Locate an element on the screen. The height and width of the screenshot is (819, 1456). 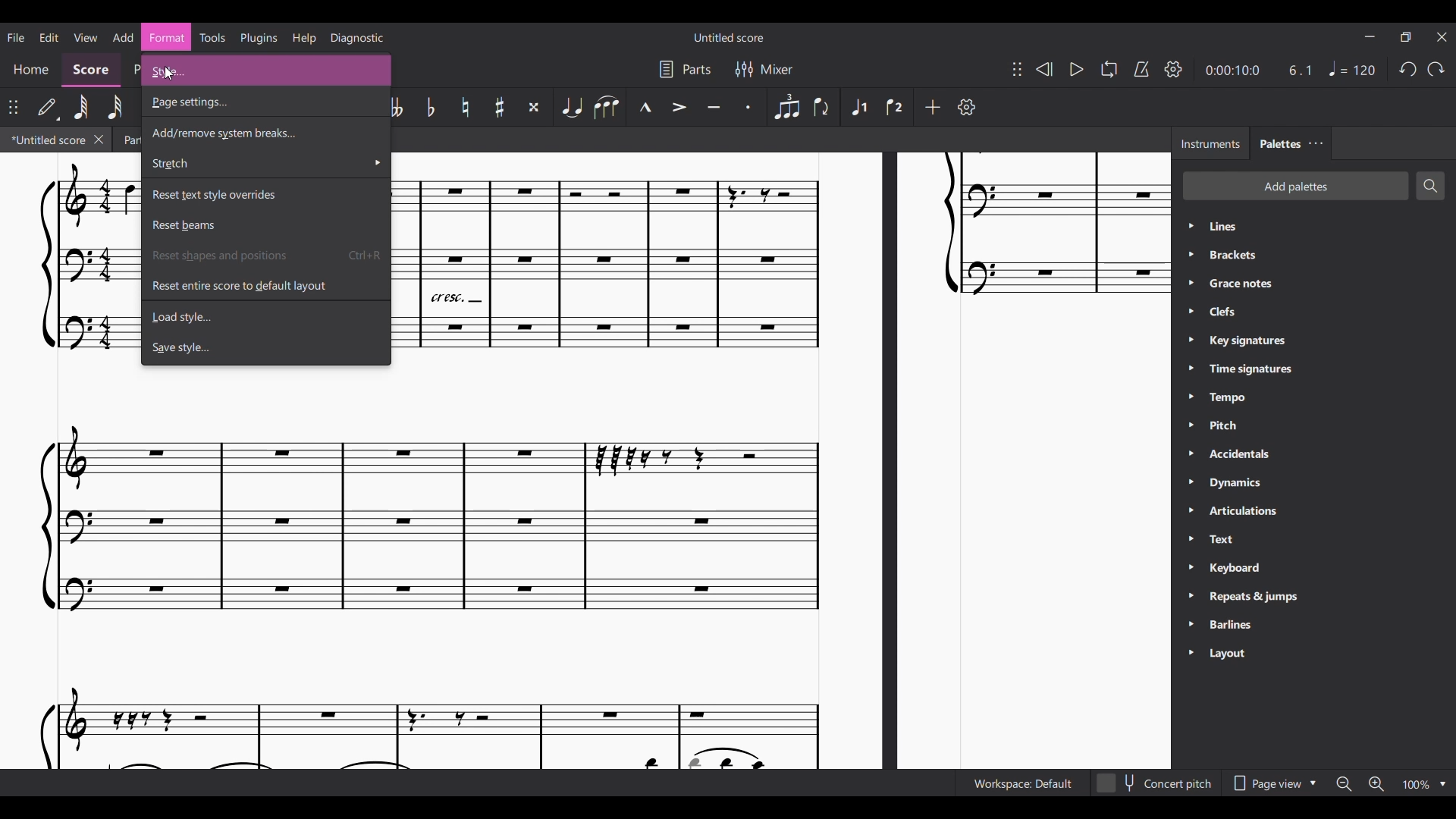
Palettes, current tab is located at coordinates (1279, 143).